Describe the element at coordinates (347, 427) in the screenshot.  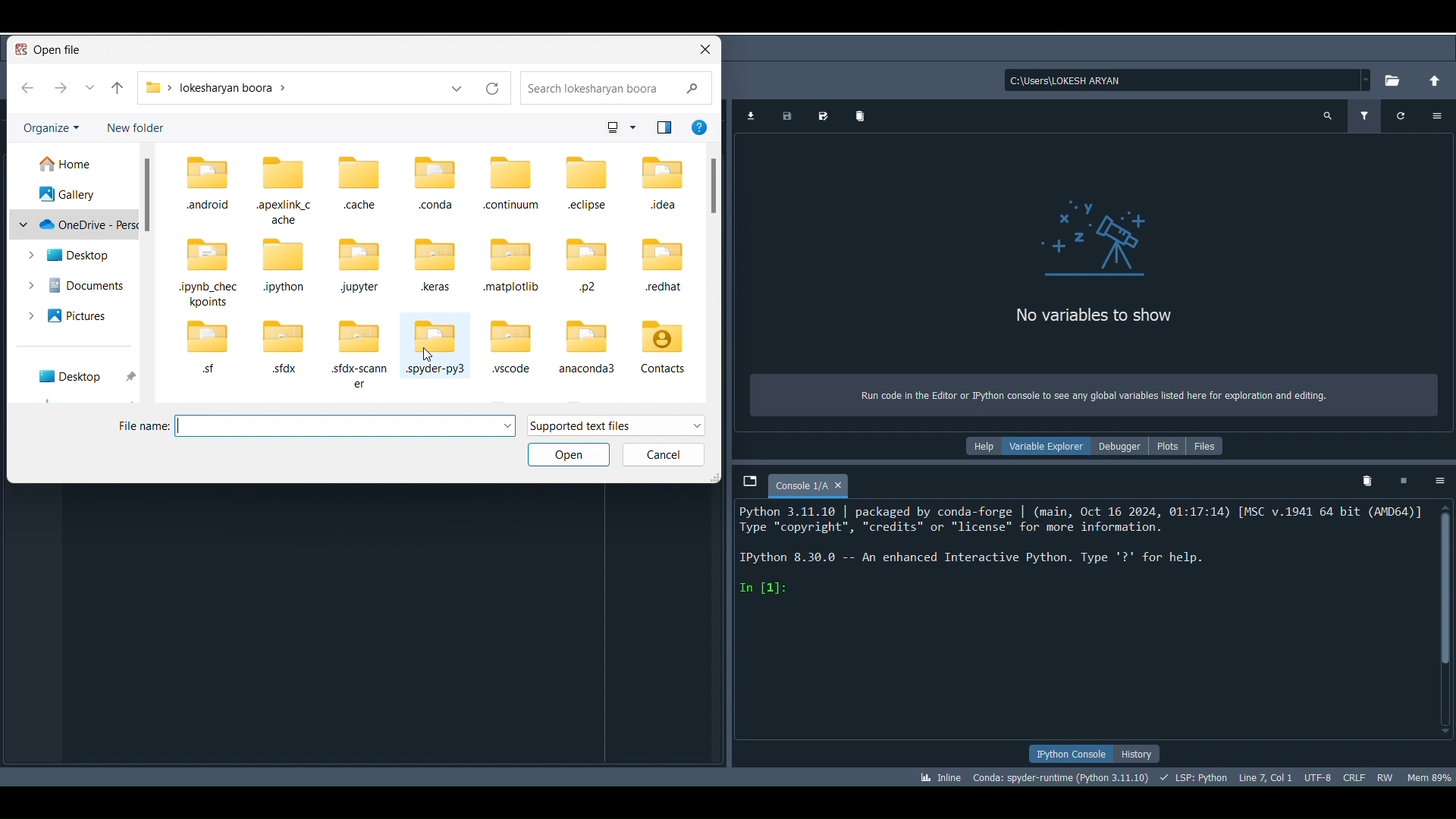
I see `Enter file name box` at that location.